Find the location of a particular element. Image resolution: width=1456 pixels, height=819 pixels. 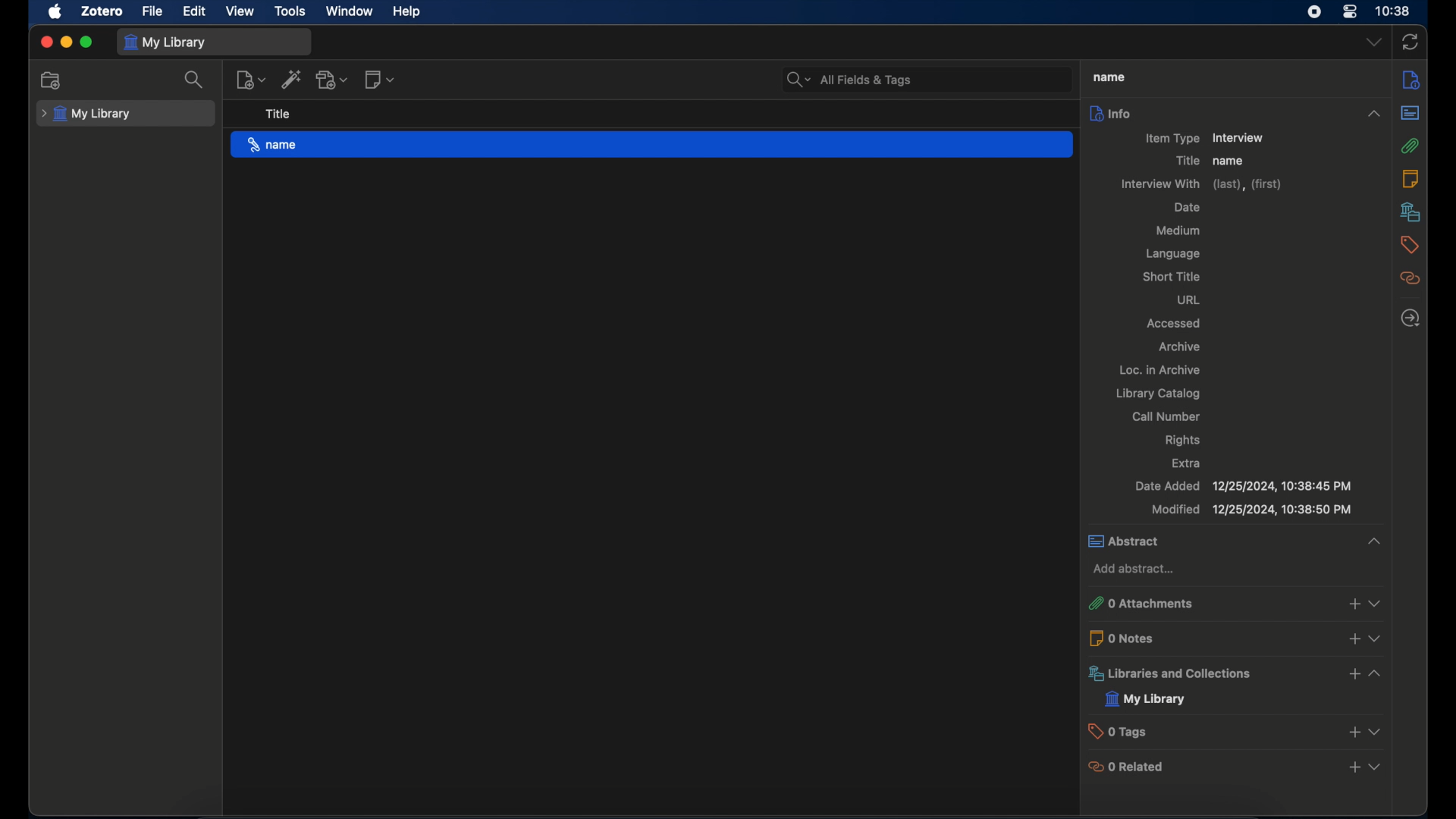

extra is located at coordinates (1188, 463).